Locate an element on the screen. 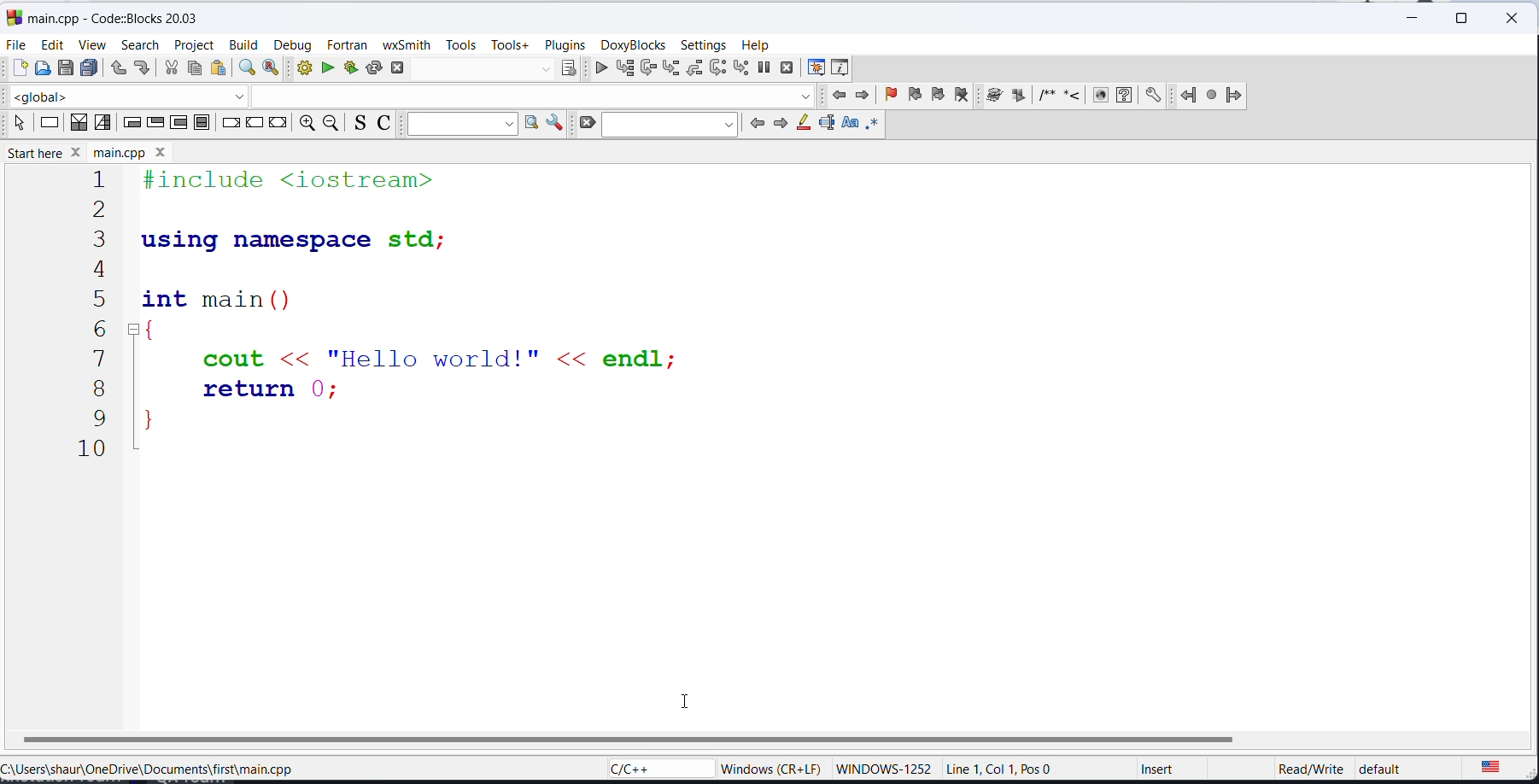  STEP OUT is located at coordinates (696, 70).